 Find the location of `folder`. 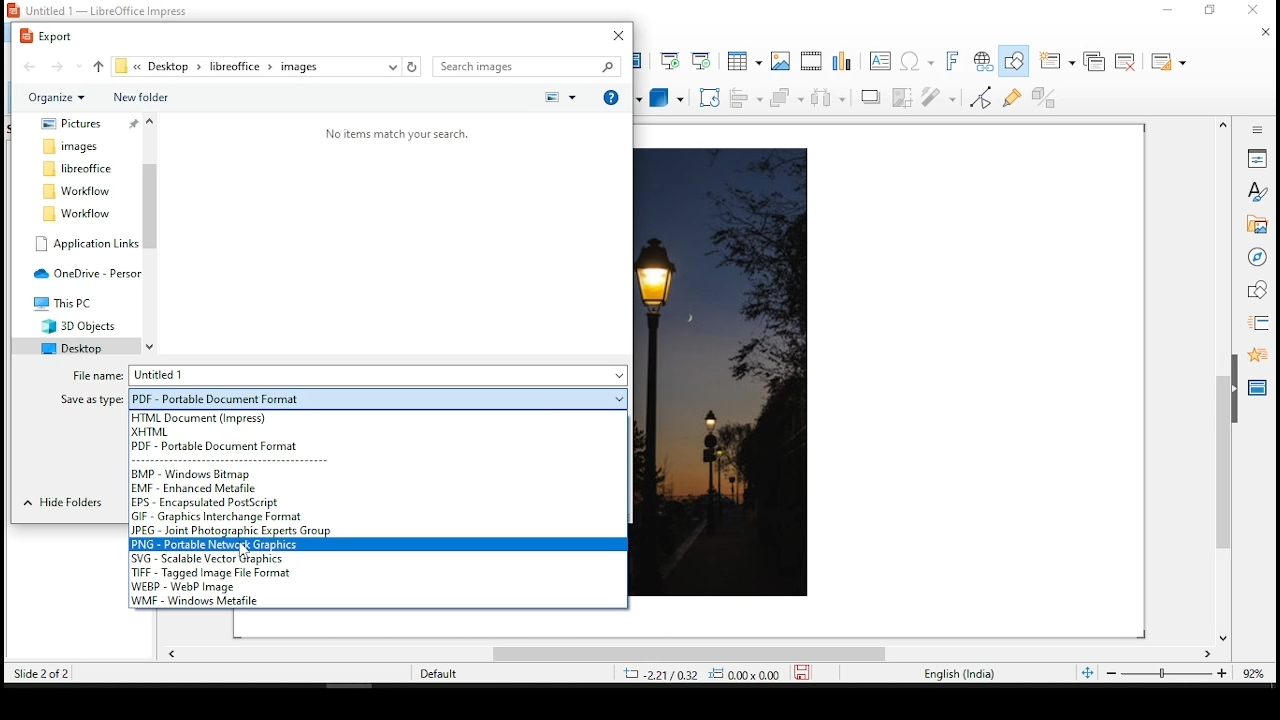

folder is located at coordinates (72, 124).